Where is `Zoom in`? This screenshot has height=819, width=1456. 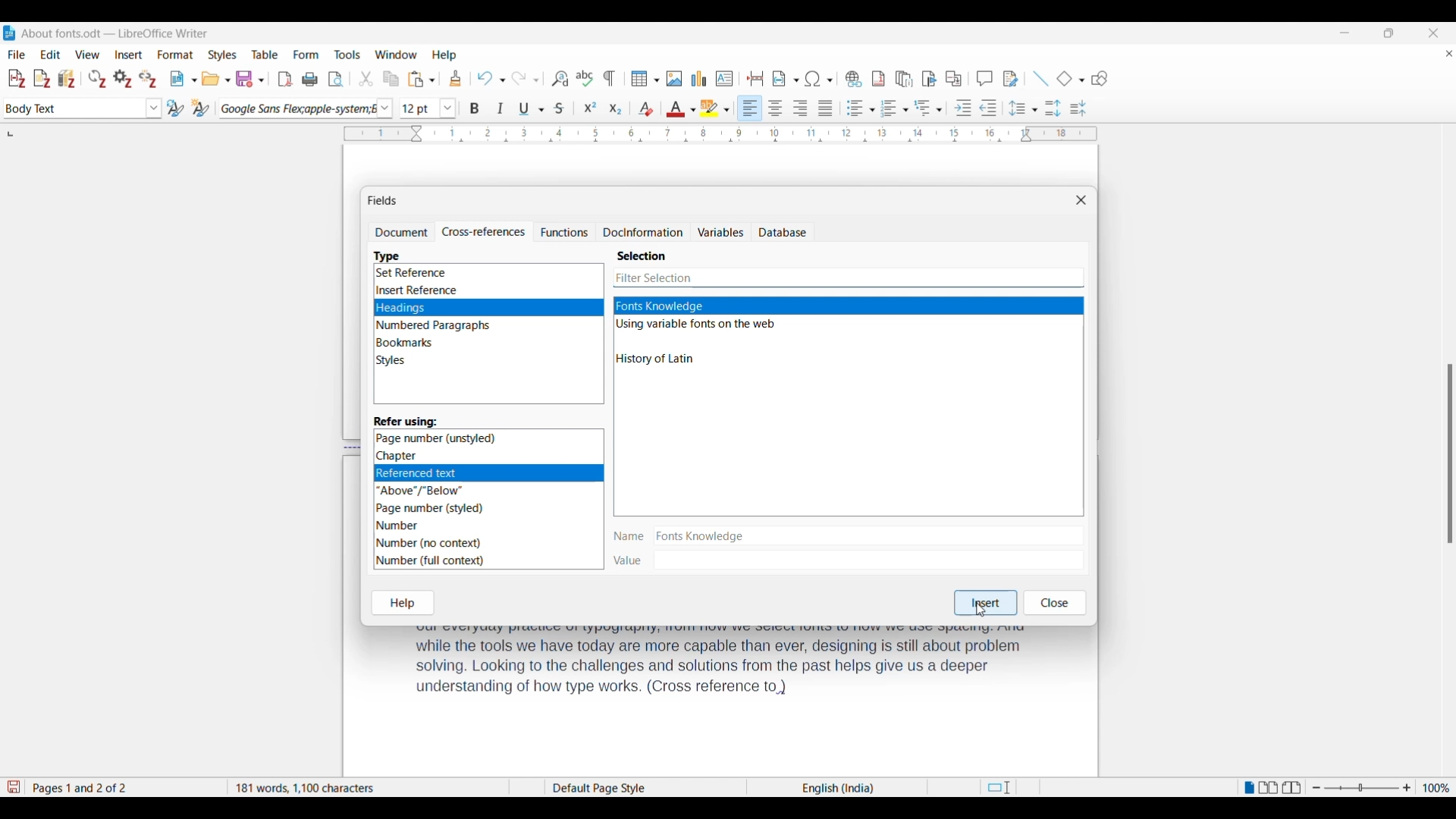
Zoom in is located at coordinates (1407, 789).